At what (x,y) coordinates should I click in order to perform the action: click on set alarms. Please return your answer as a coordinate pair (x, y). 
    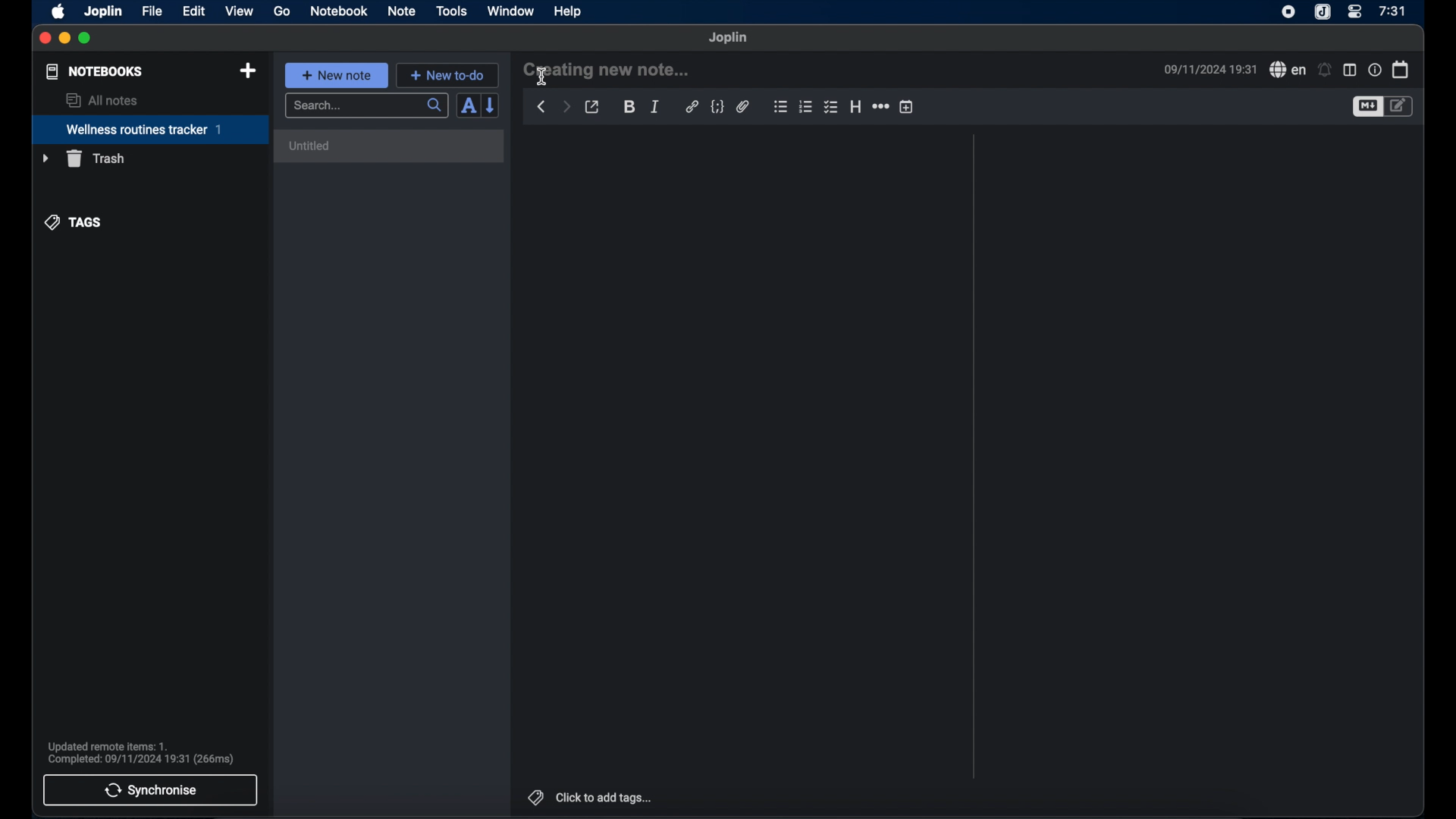
    Looking at the image, I should click on (1325, 70).